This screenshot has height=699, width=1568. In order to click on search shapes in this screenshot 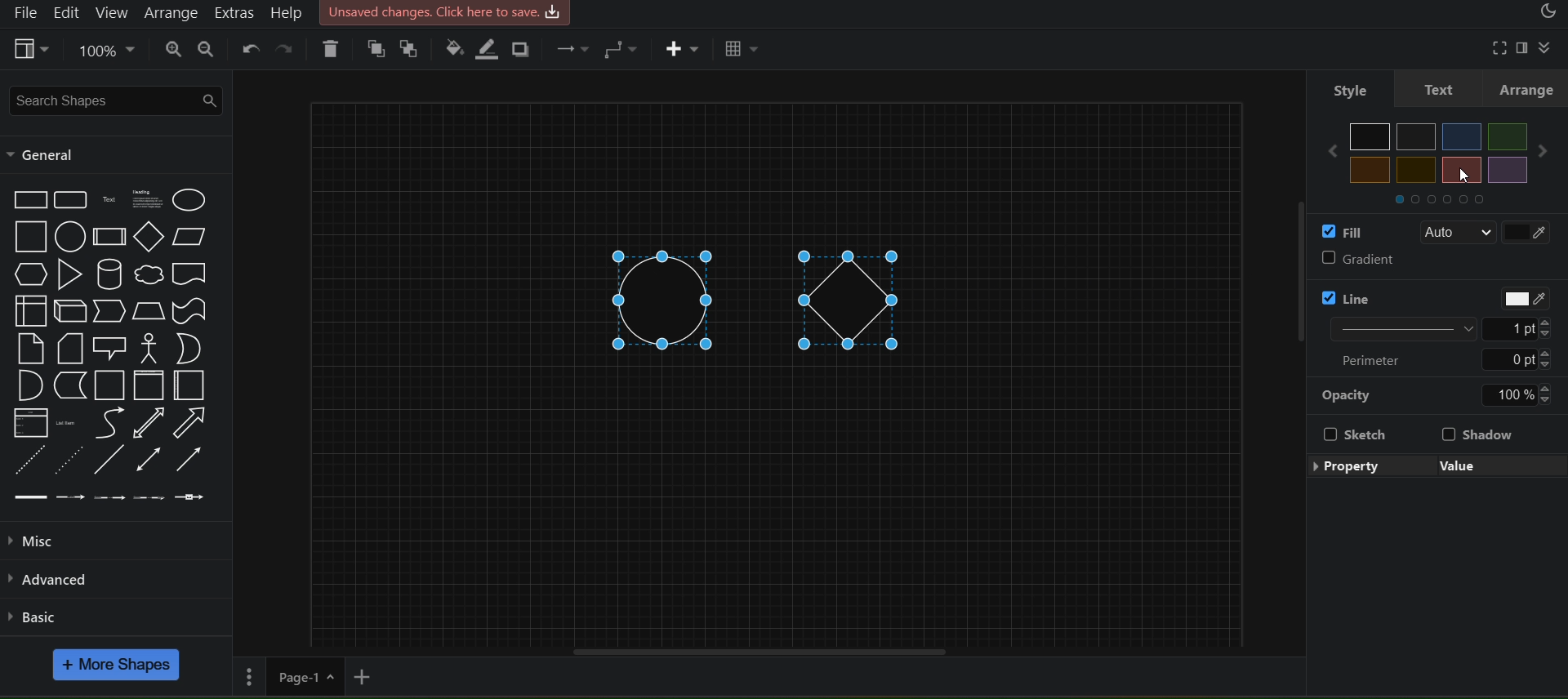, I will do `click(113, 96)`.